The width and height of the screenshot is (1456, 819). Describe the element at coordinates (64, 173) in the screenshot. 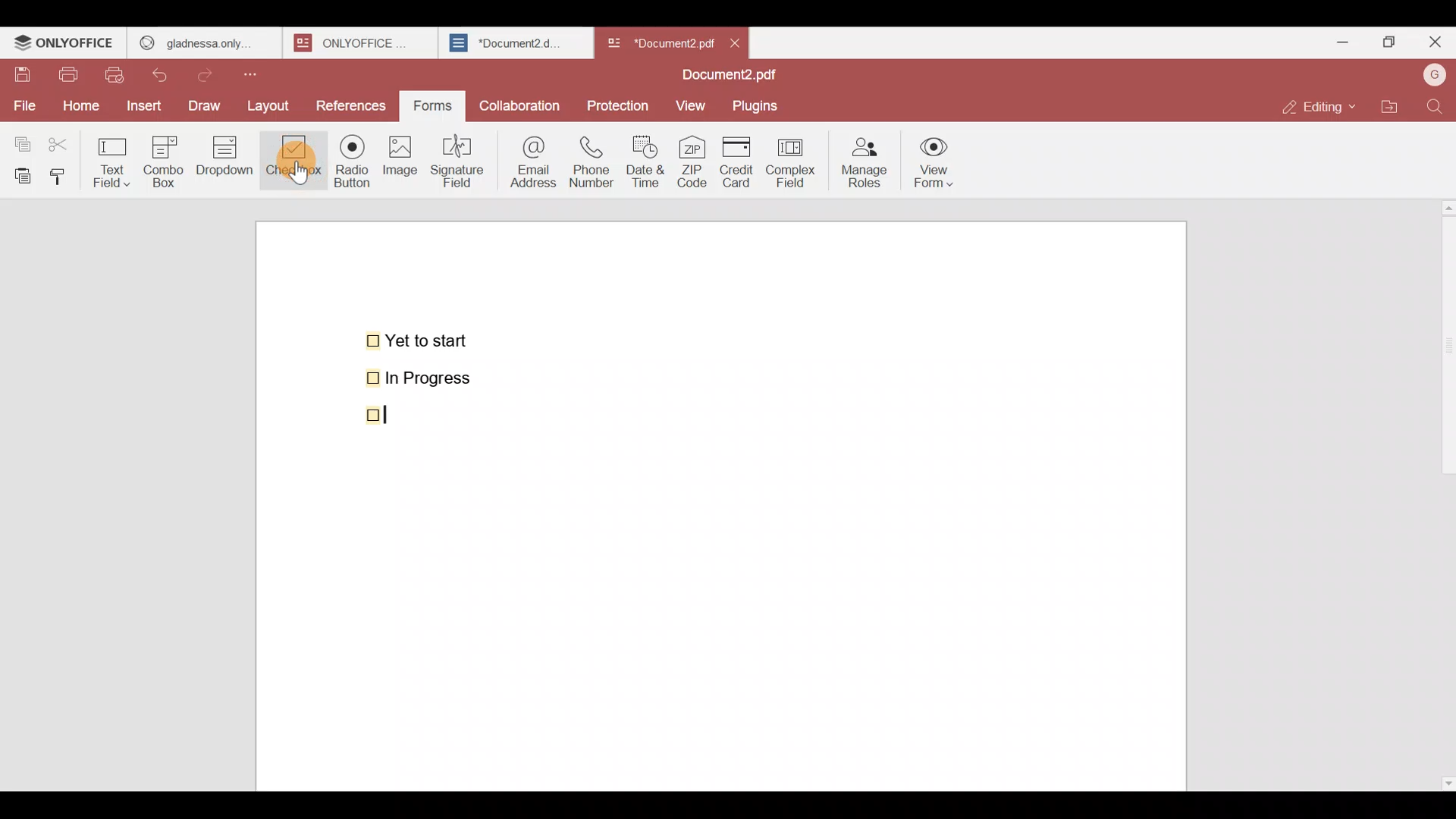

I see `Copy style` at that location.